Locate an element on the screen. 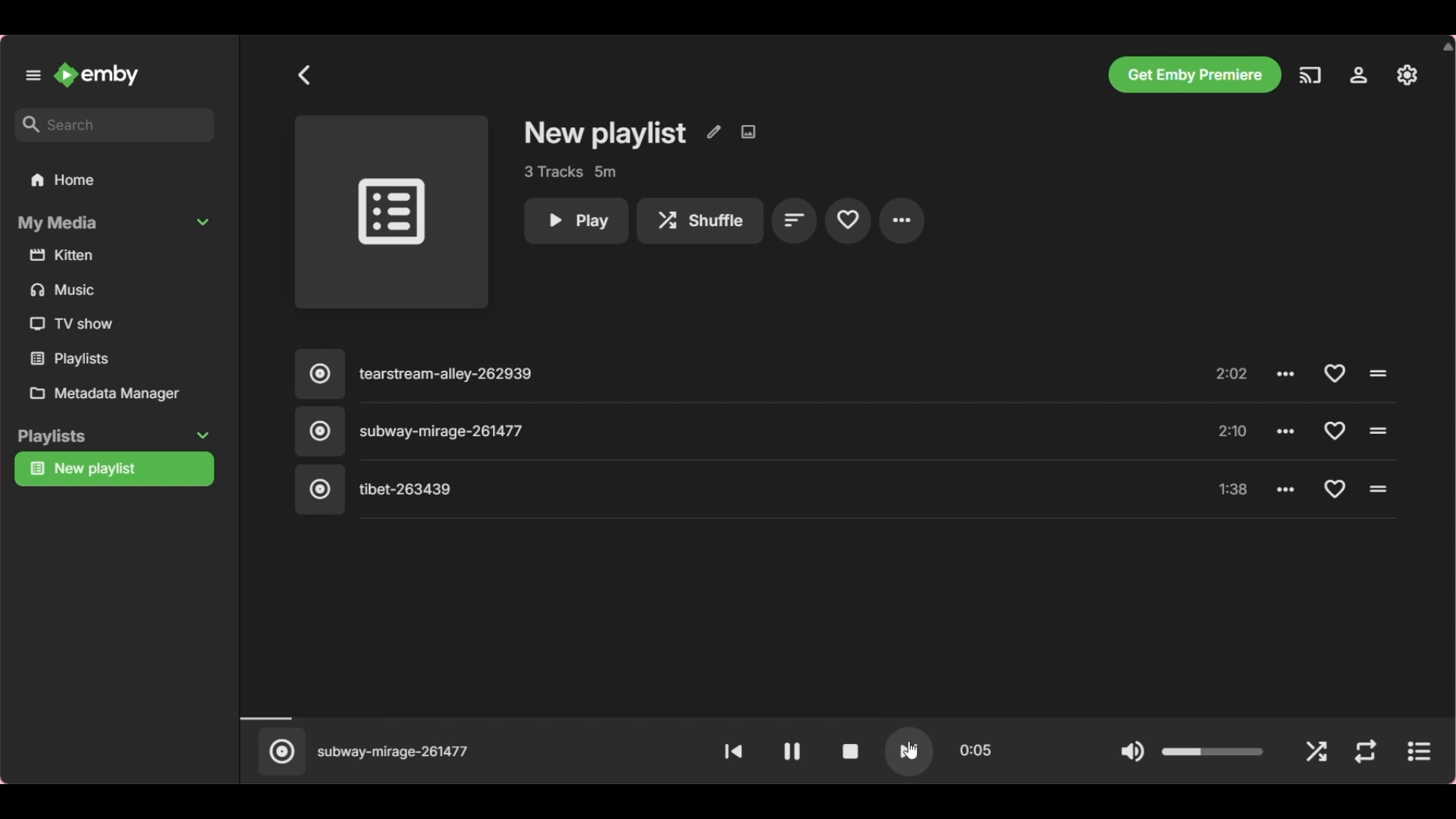 This screenshot has height=819, width=1456. Play previous song is located at coordinates (733, 750).